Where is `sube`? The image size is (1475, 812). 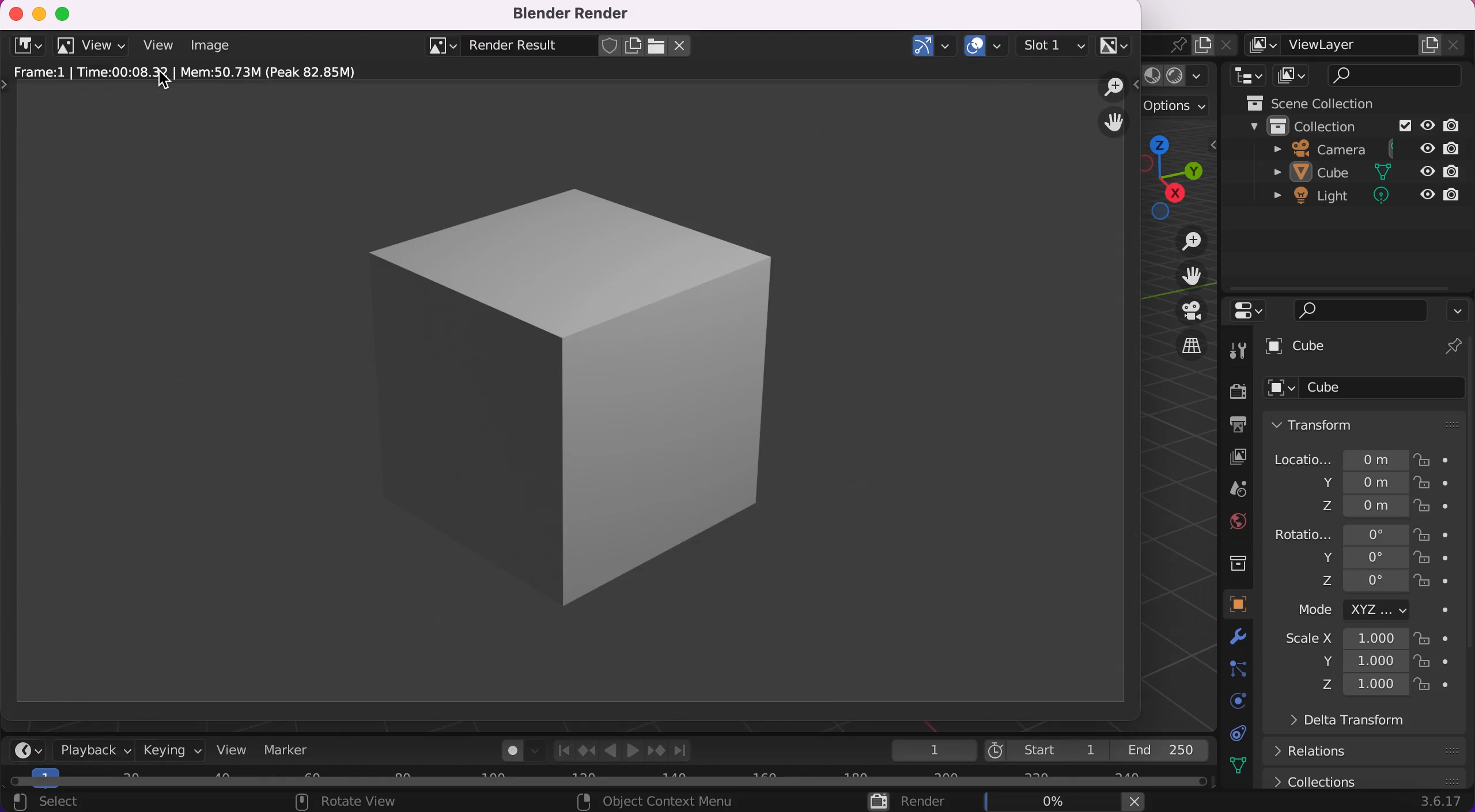 sube is located at coordinates (1319, 173).